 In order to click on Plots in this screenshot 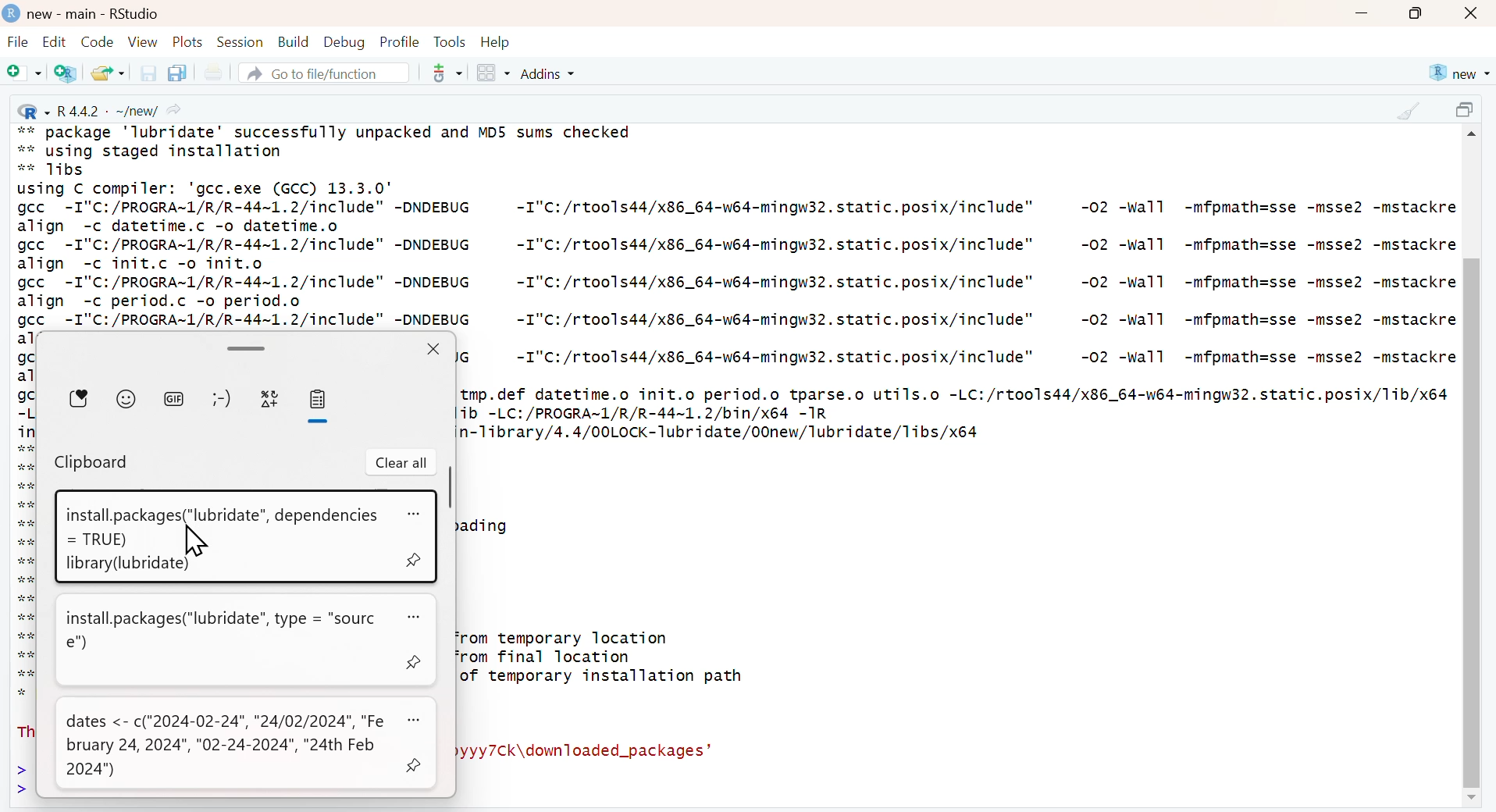, I will do `click(188, 41)`.